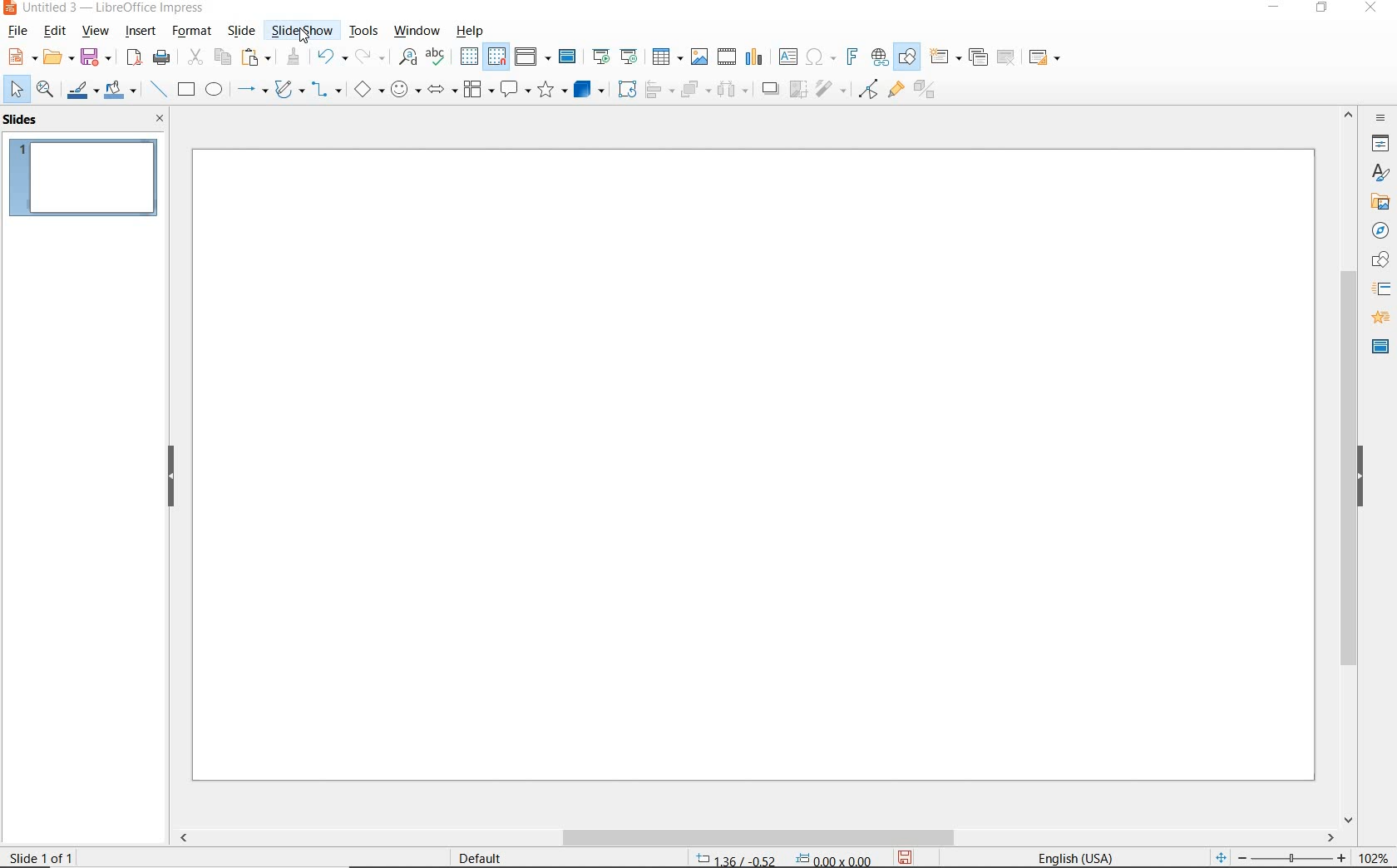 This screenshot has height=868, width=1397. What do you see at coordinates (437, 57) in the screenshot?
I see `SPELLING` at bounding box center [437, 57].